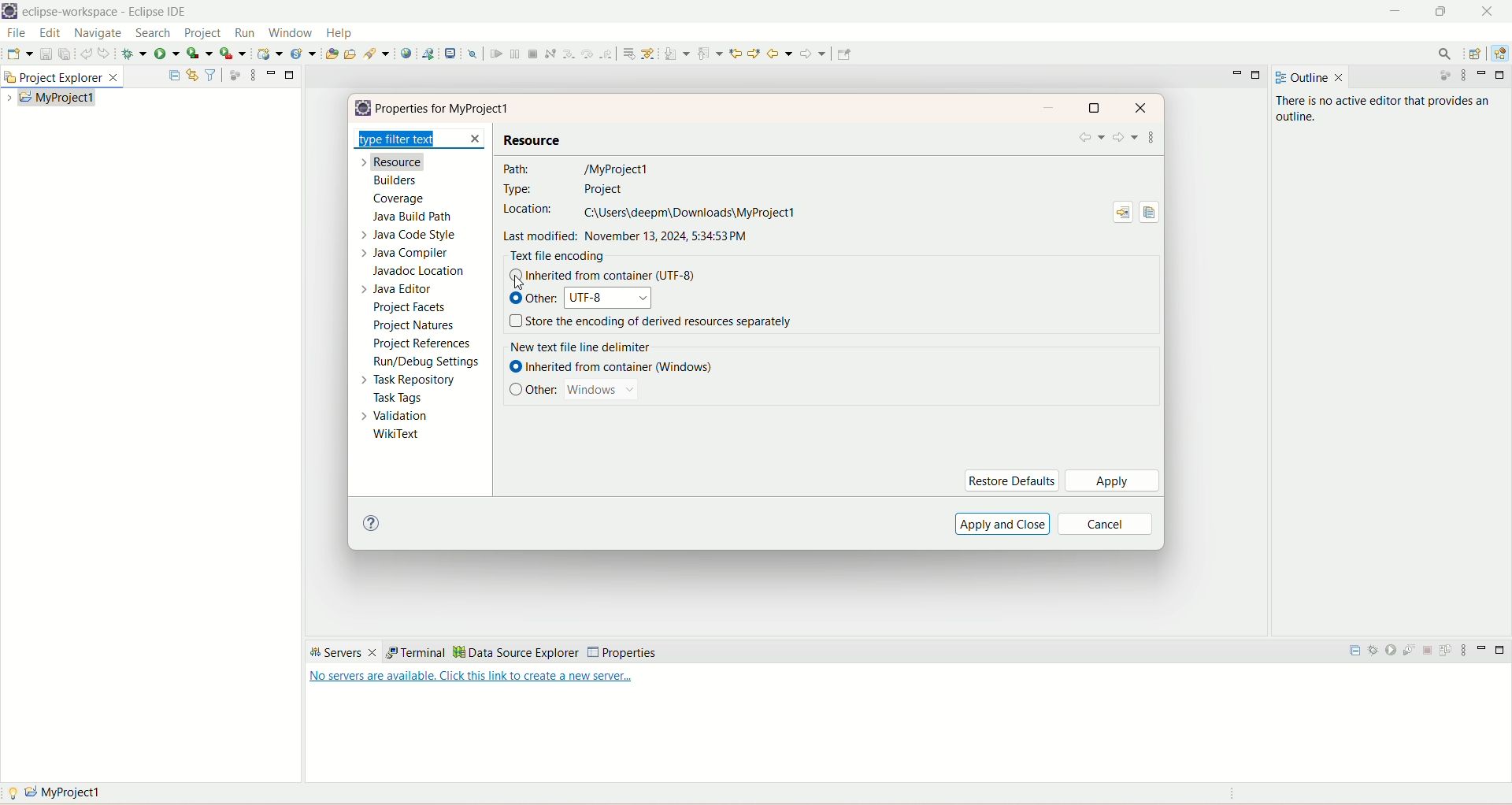 The width and height of the screenshot is (1512, 805). Describe the element at coordinates (710, 54) in the screenshot. I see `previous annotation` at that location.